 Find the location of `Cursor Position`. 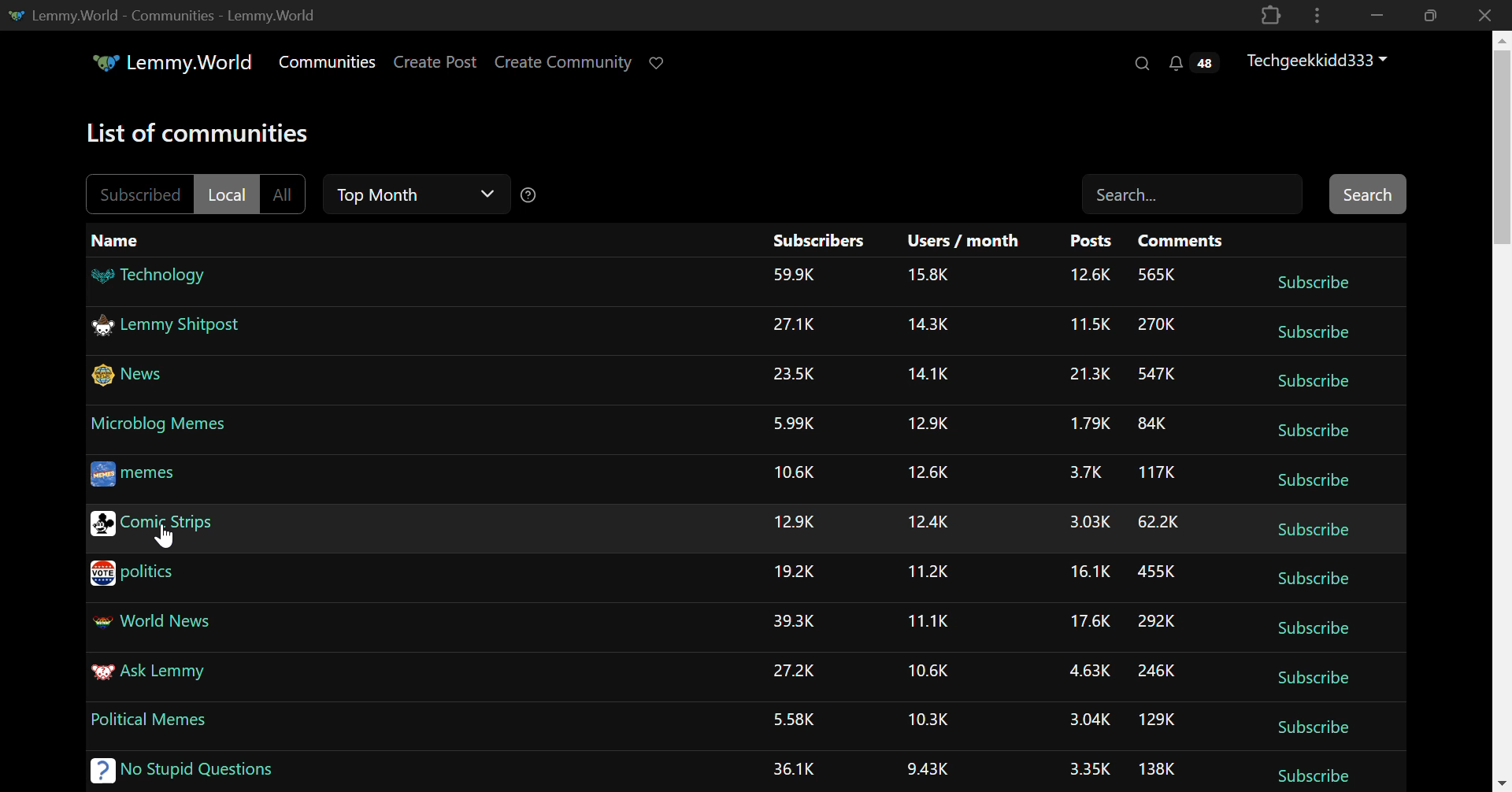

Cursor Position is located at coordinates (164, 535).